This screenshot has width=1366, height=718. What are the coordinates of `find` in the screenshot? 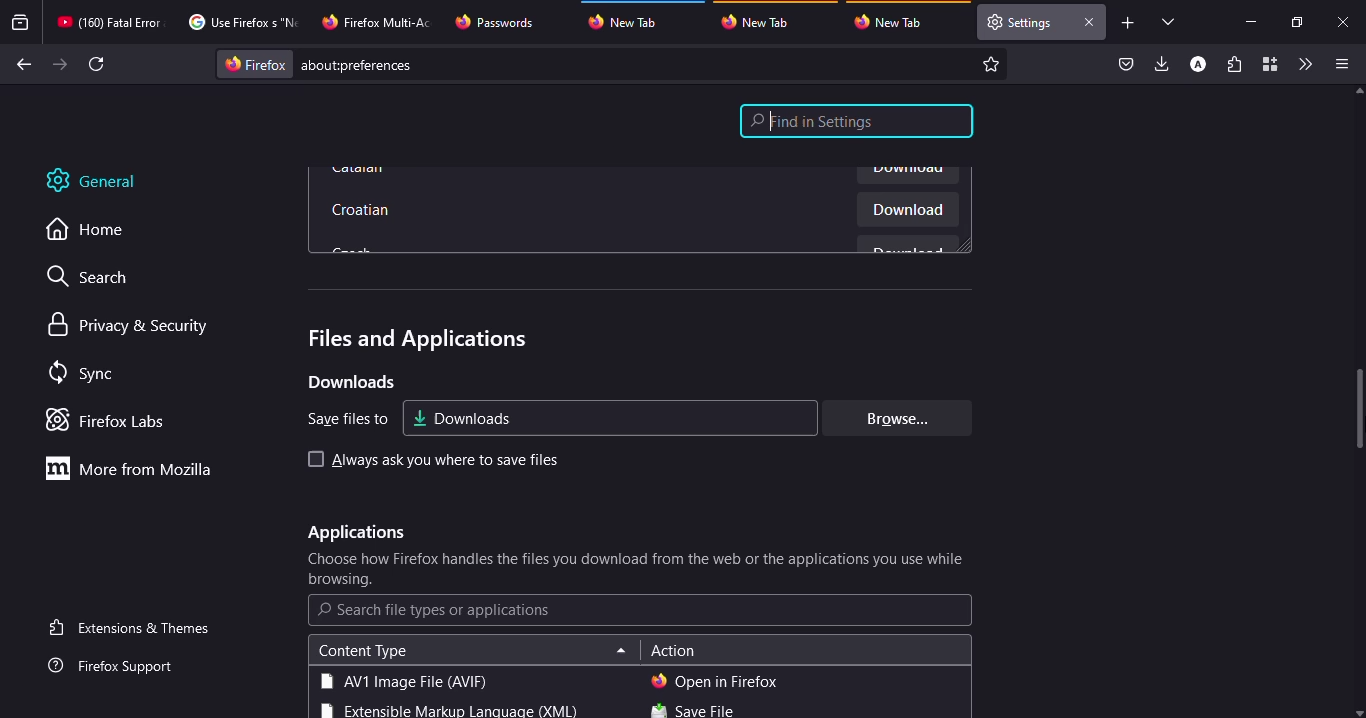 It's located at (857, 121).